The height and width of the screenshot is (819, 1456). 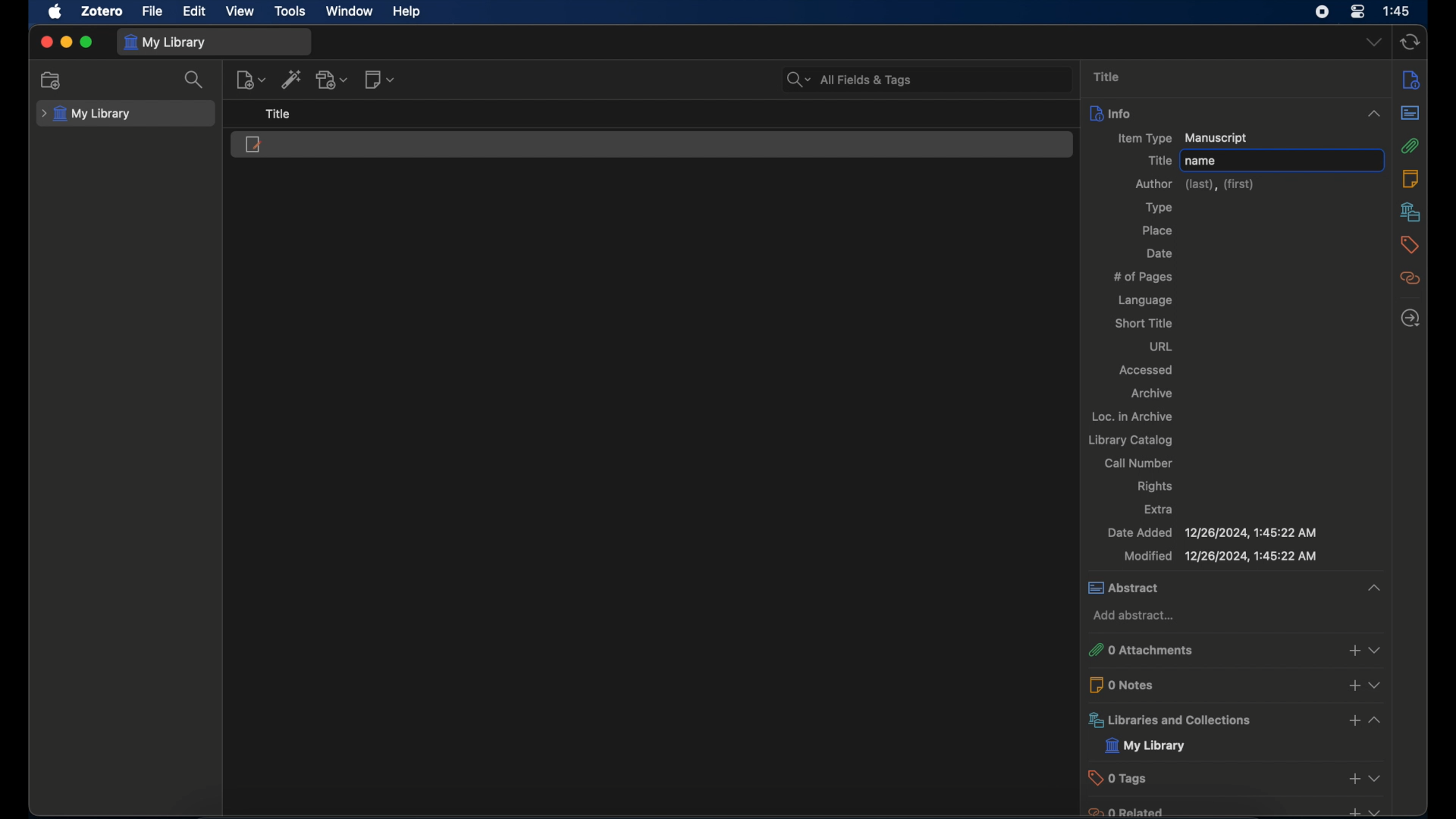 What do you see at coordinates (103, 11) in the screenshot?
I see `zotero` at bounding box center [103, 11].